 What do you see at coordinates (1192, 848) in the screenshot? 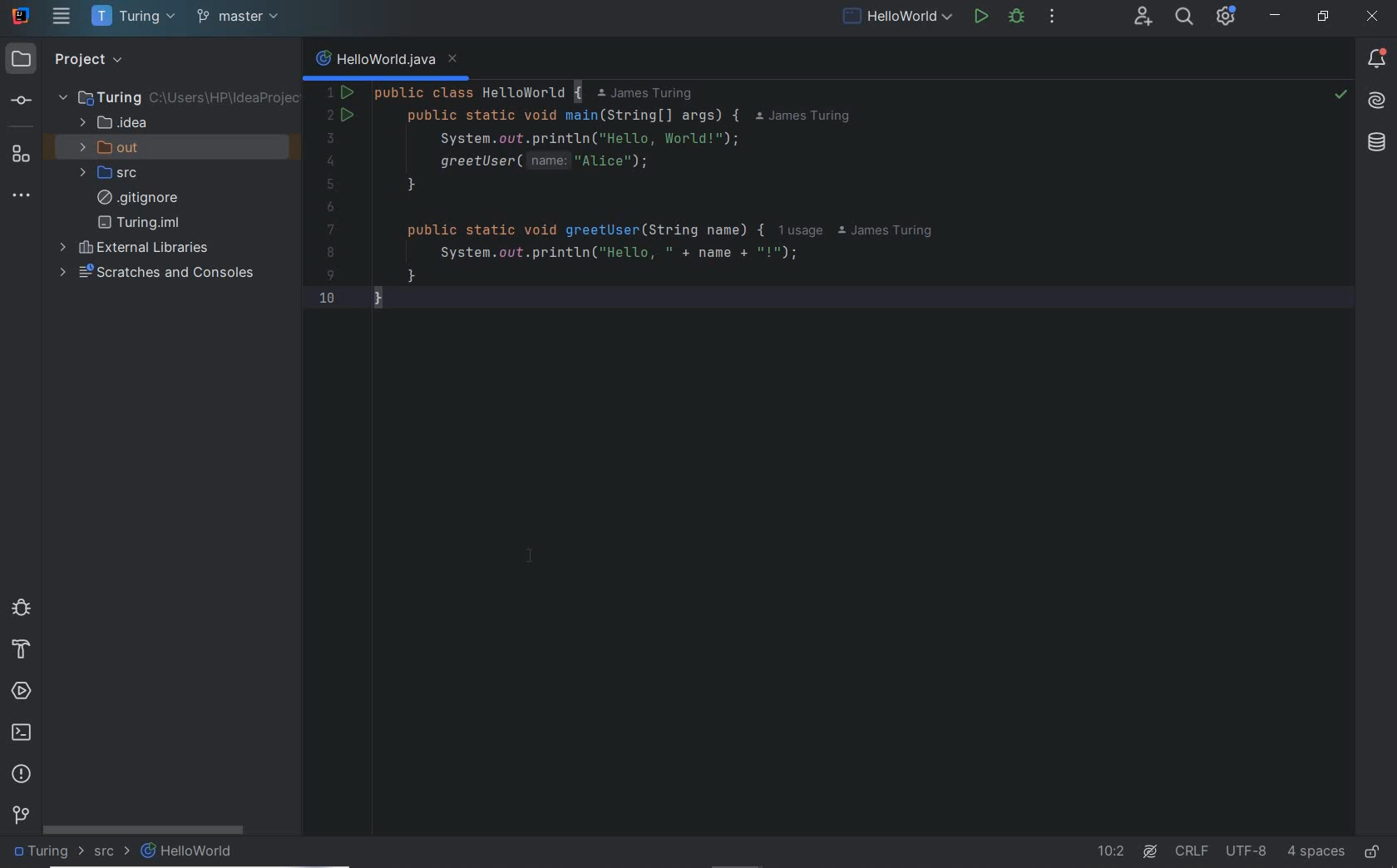
I see `LINE SEPARATOR` at bounding box center [1192, 848].